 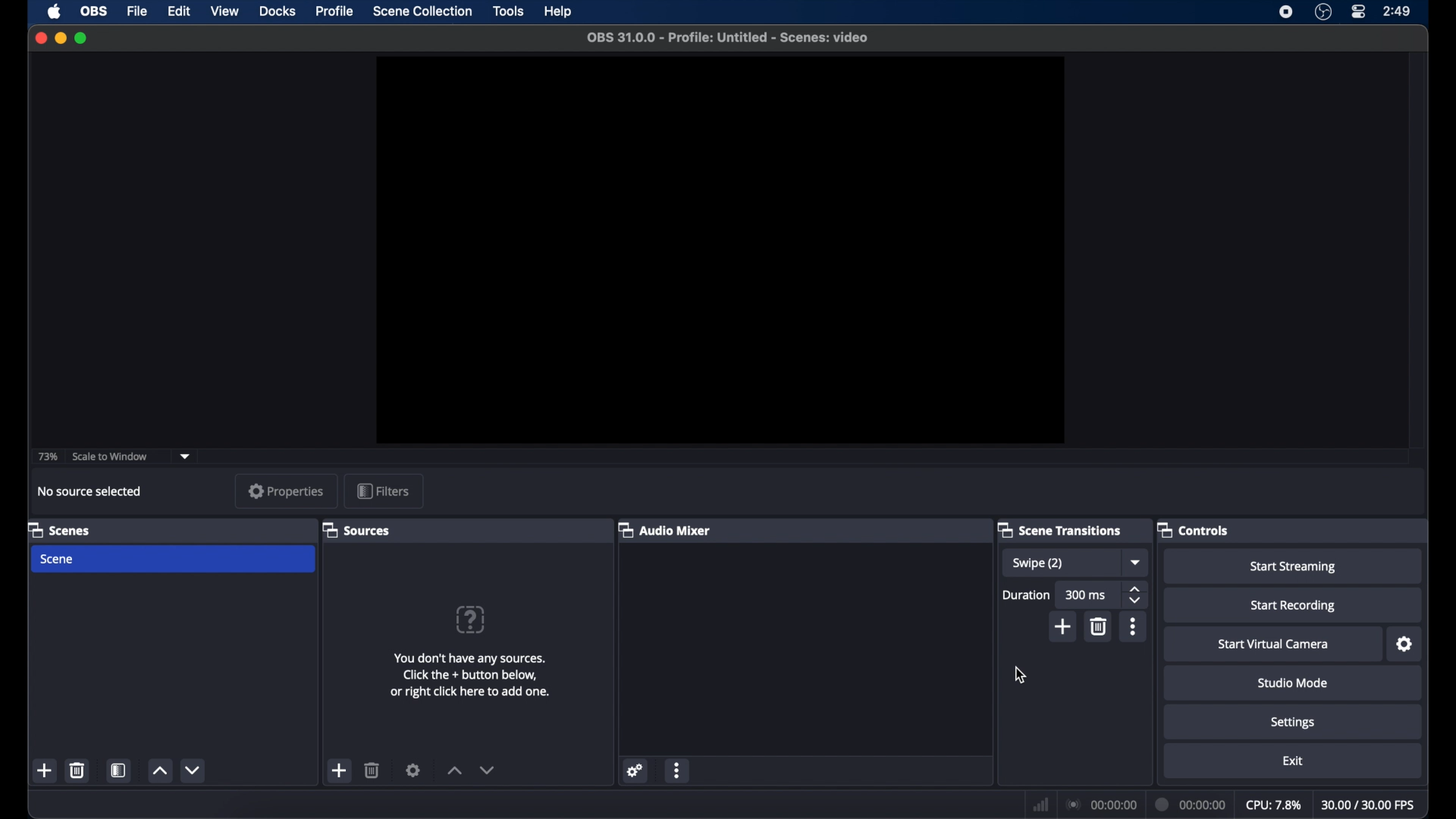 I want to click on connection, so click(x=1100, y=804).